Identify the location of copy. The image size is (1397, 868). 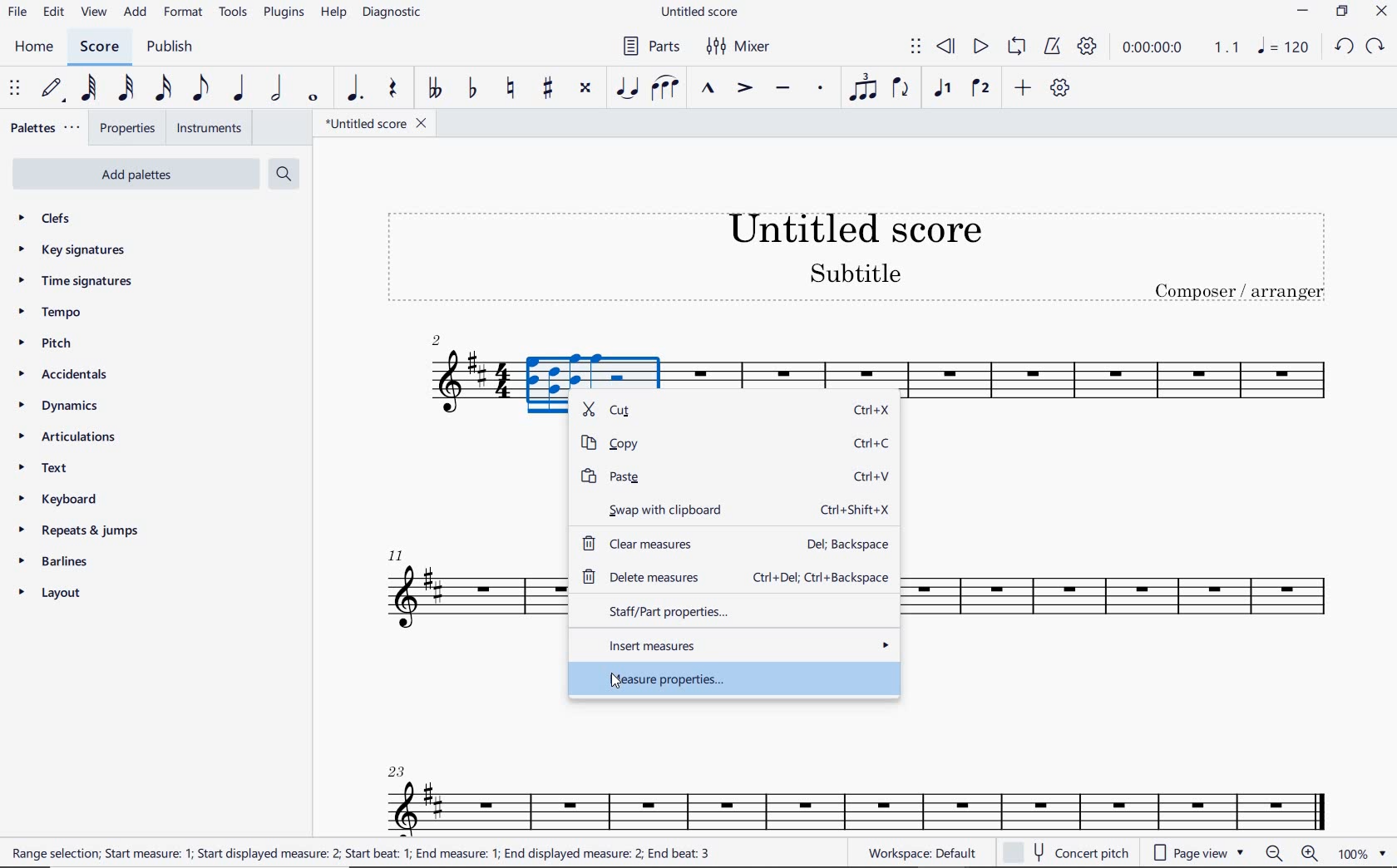
(734, 442).